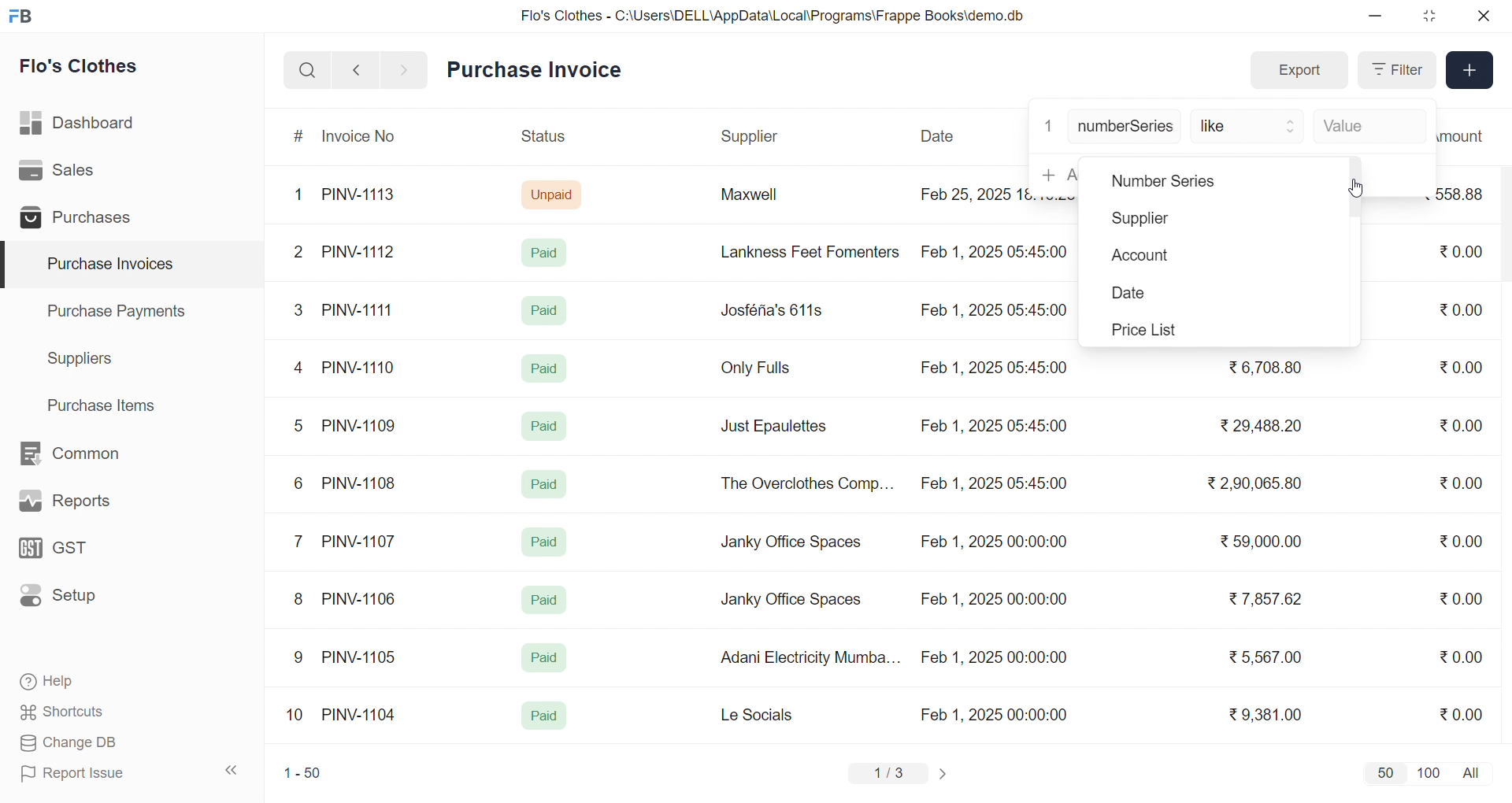  What do you see at coordinates (82, 553) in the screenshot?
I see `GST` at bounding box center [82, 553].